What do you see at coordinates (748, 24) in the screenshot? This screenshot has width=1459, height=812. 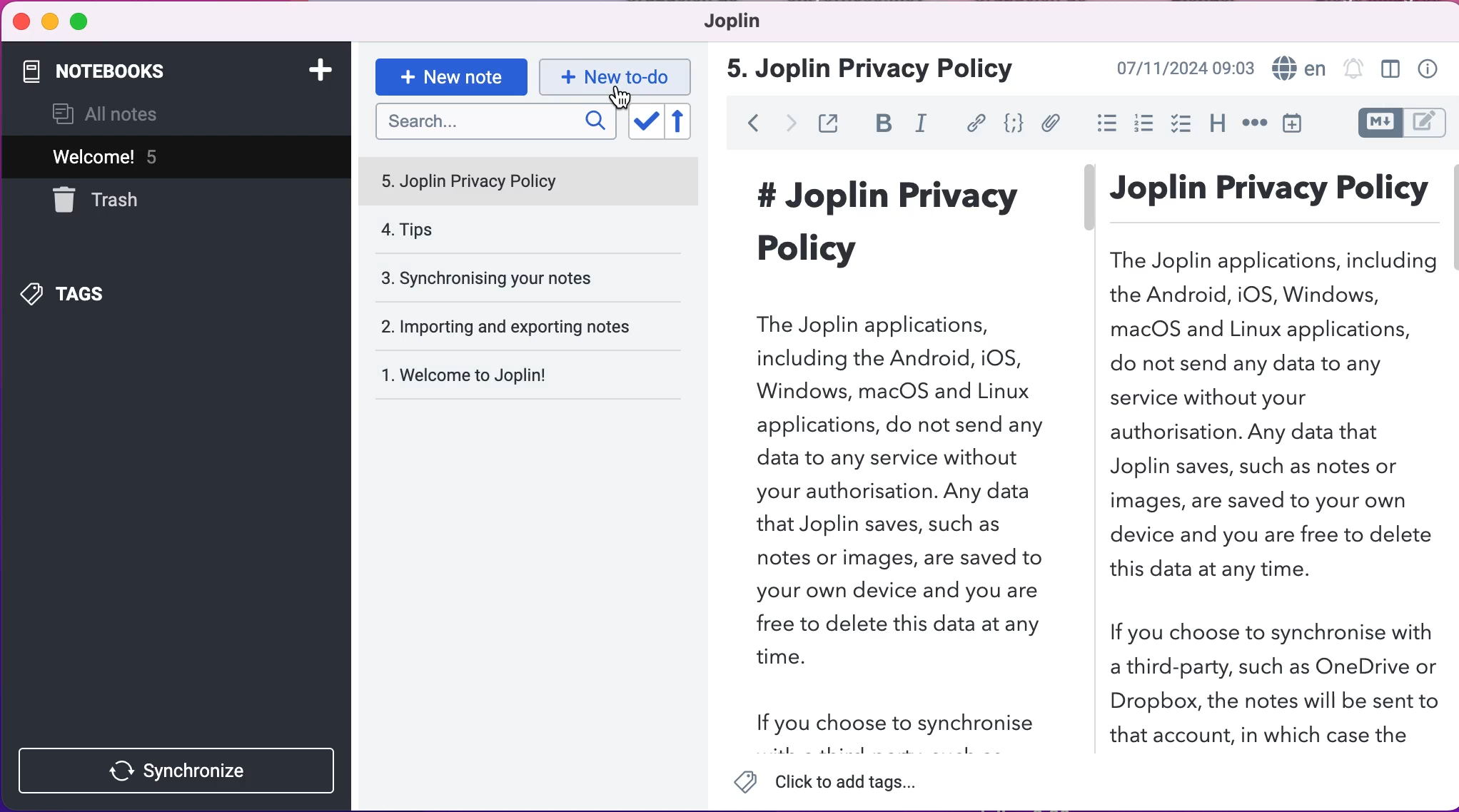 I see `joplin` at bounding box center [748, 24].